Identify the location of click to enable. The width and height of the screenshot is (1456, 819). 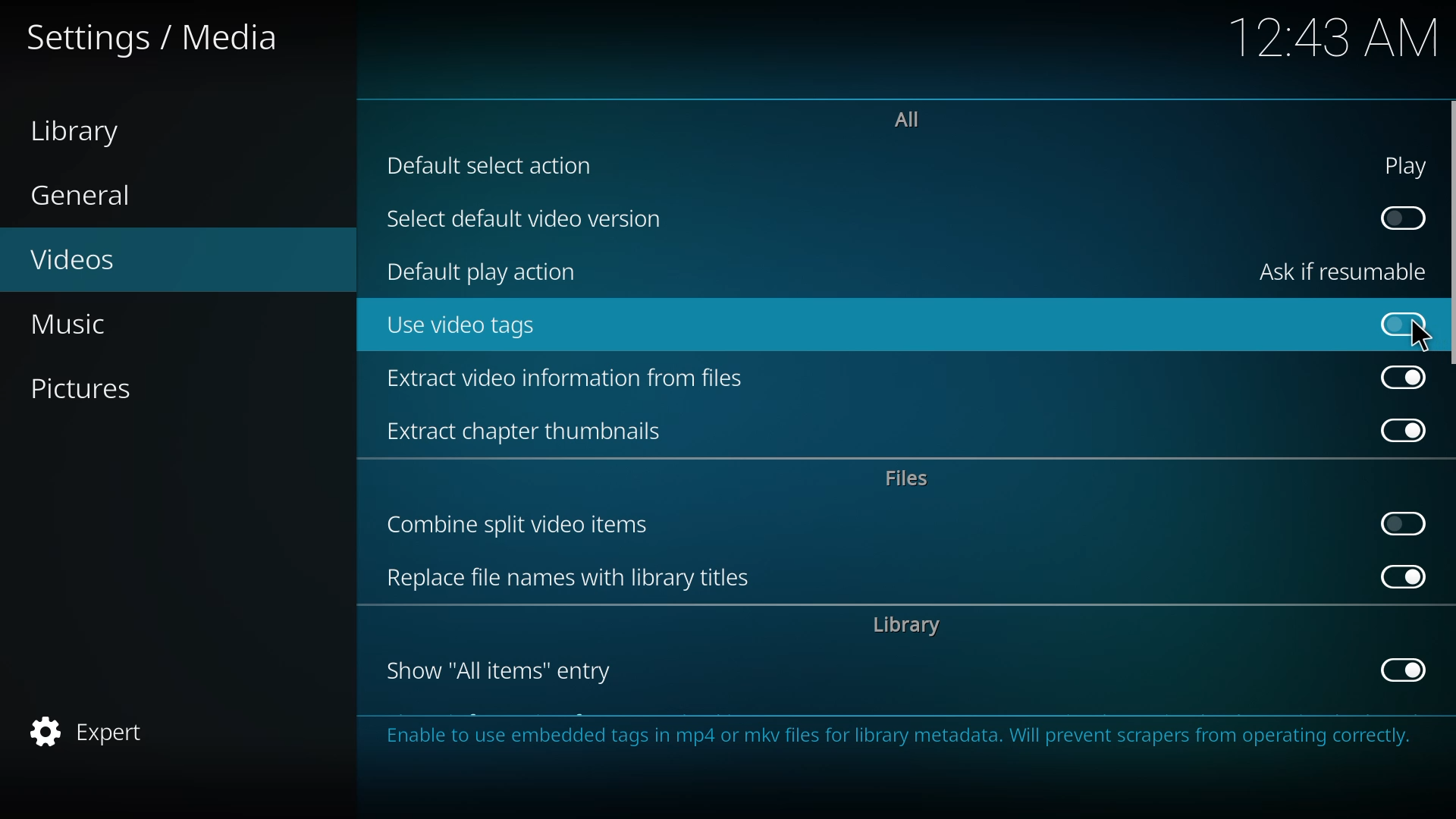
(1400, 217).